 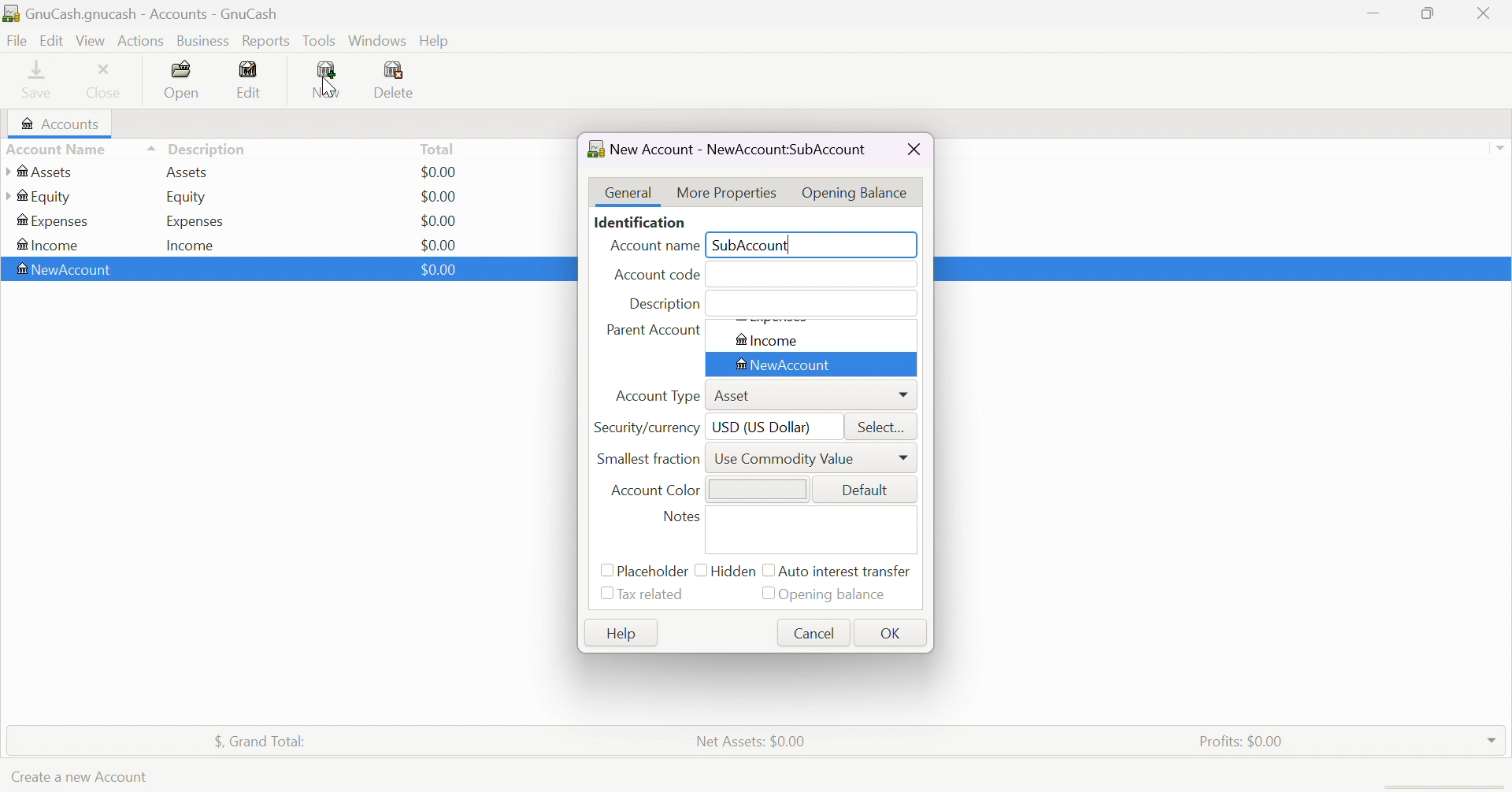 What do you see at coordinates (395, 81) in the screenshot?
I see `Delete` at bounding box center [395, 81].